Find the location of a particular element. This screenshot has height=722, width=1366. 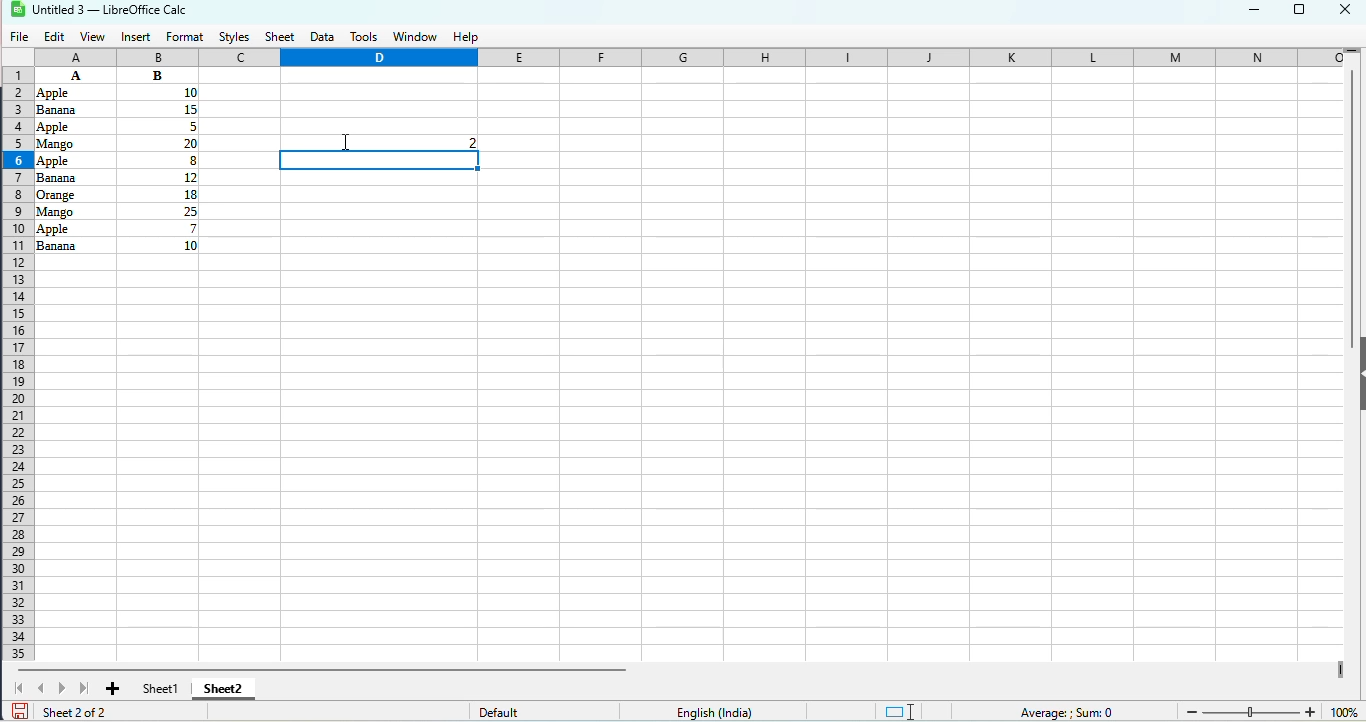

view is located at coordinates (92, 38).